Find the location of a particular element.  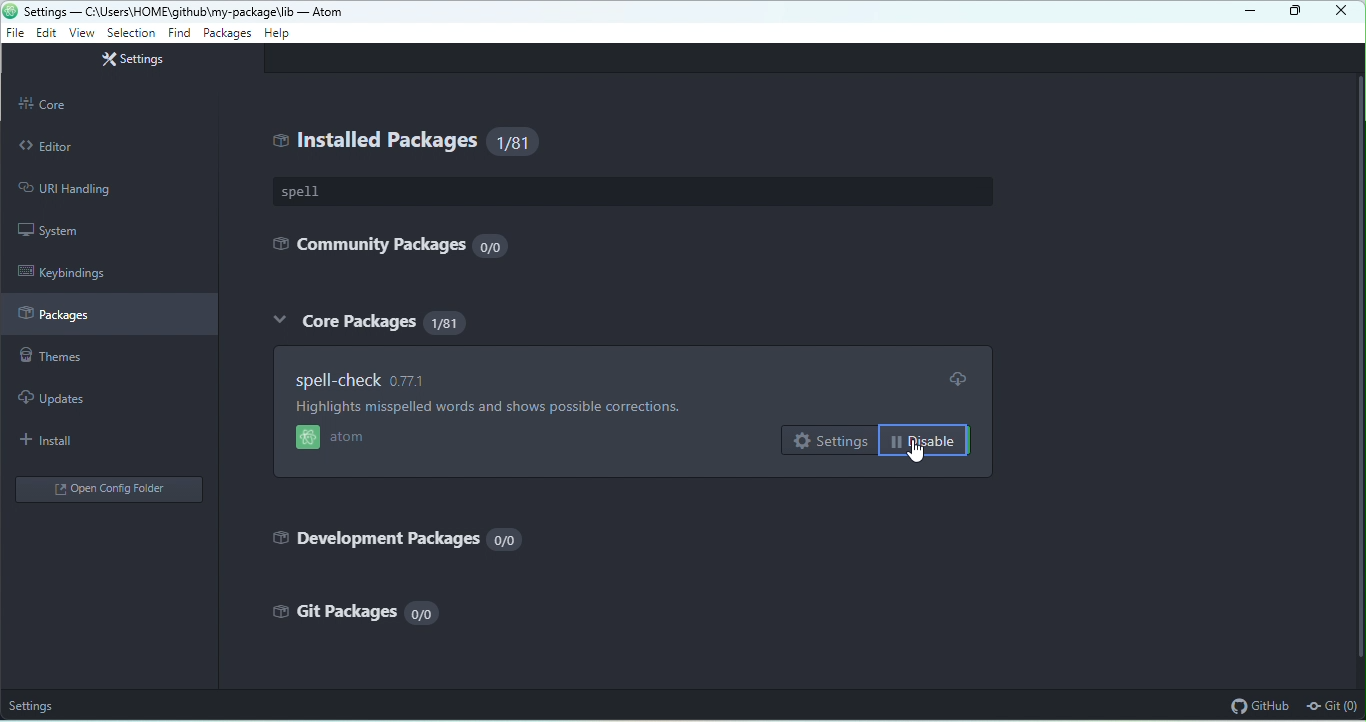

community packages is located at coordinates (385, 244).